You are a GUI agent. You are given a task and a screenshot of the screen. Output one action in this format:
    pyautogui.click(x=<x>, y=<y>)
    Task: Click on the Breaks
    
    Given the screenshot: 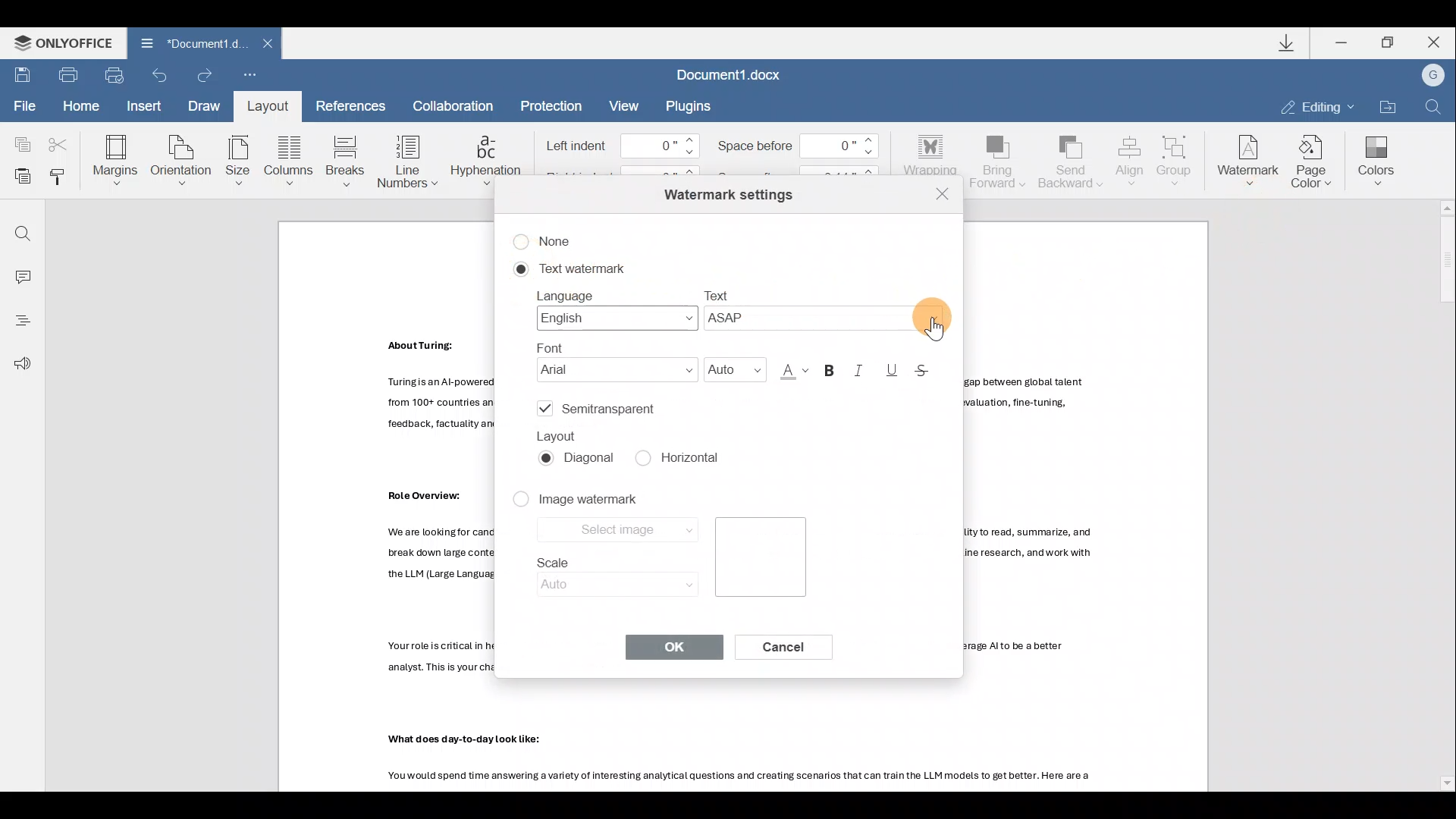 What is the action you would take?
    pyautogui.click(x=346, y=157)
    